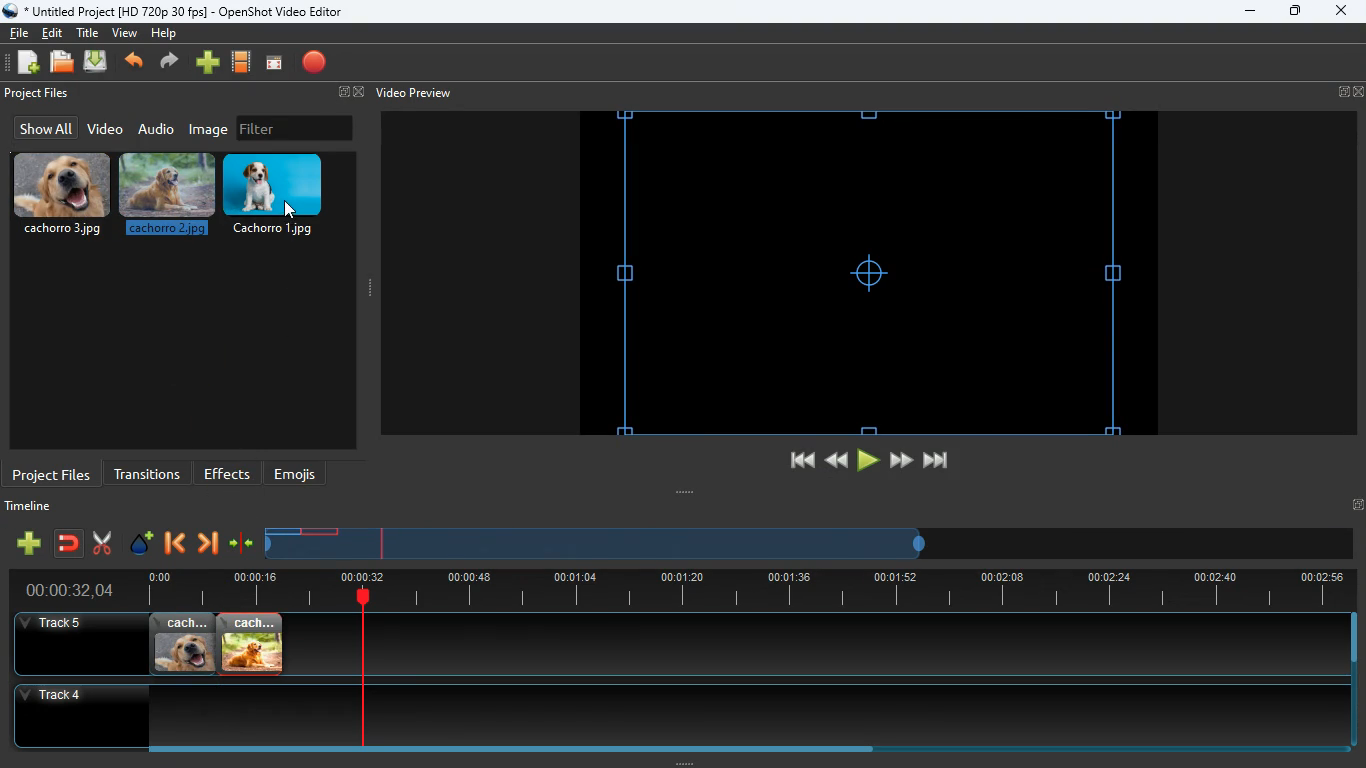  What do you see at coordinates (55, 33) in the screenshot?
I see `edit` at bounding box center [55, 33].